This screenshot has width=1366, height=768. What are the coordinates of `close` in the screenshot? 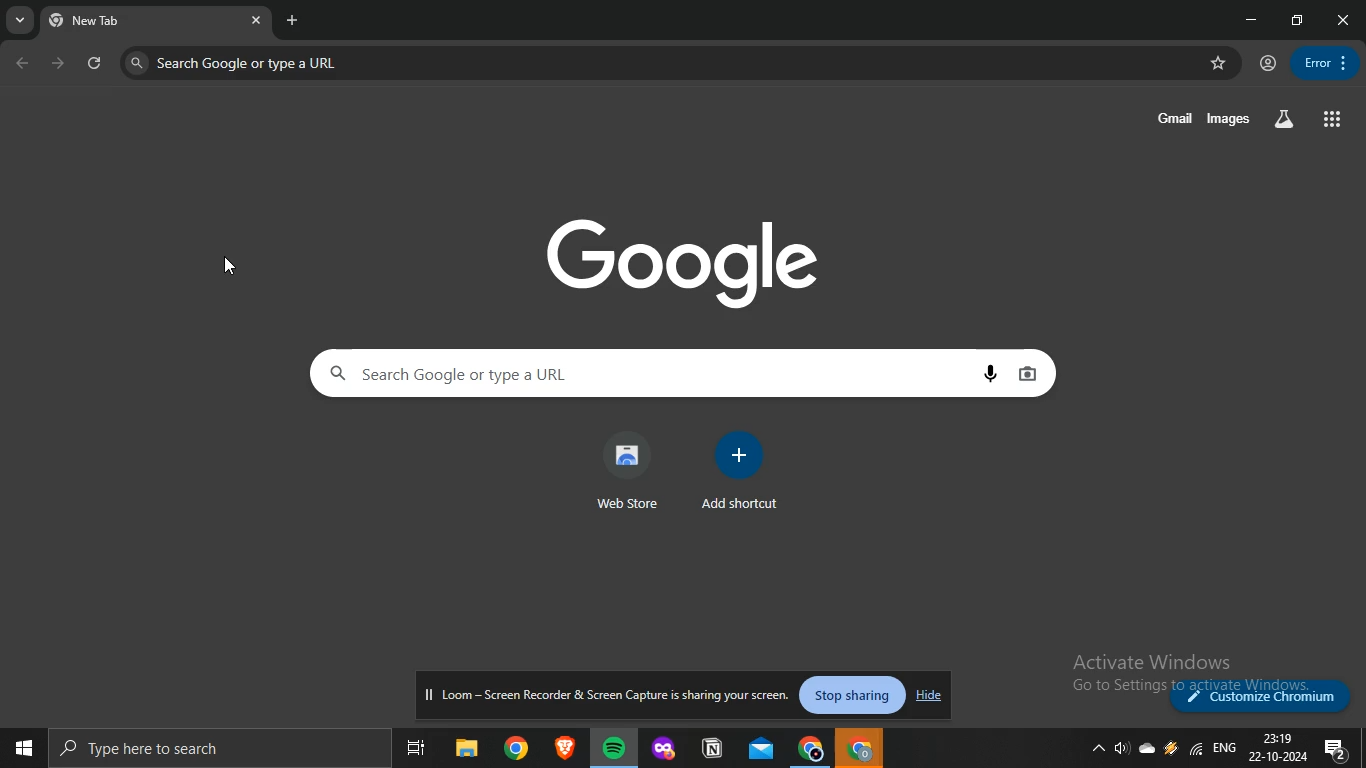 It's located at (260, 22).